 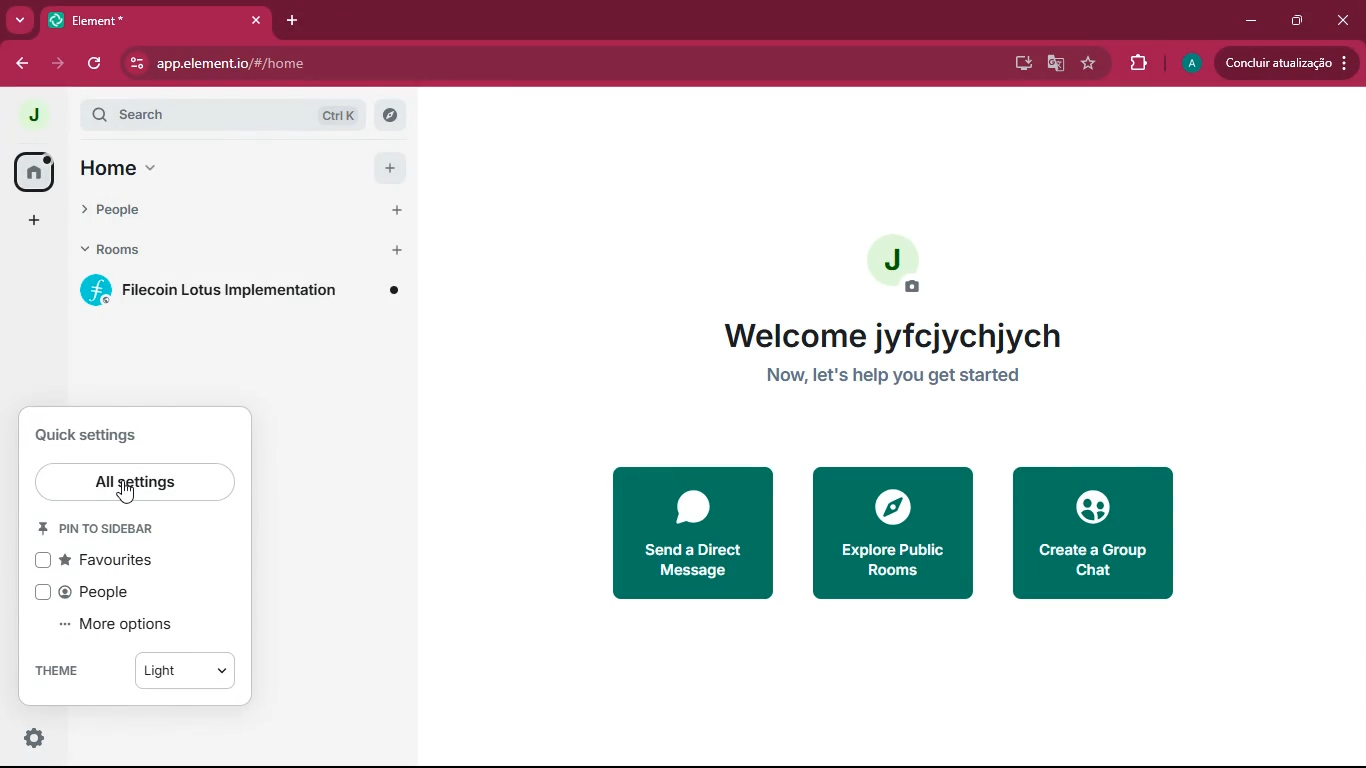 What do you see at coordinates (60, 66) in the screenshot?
I see `forward` at bounding box center [60, 66].